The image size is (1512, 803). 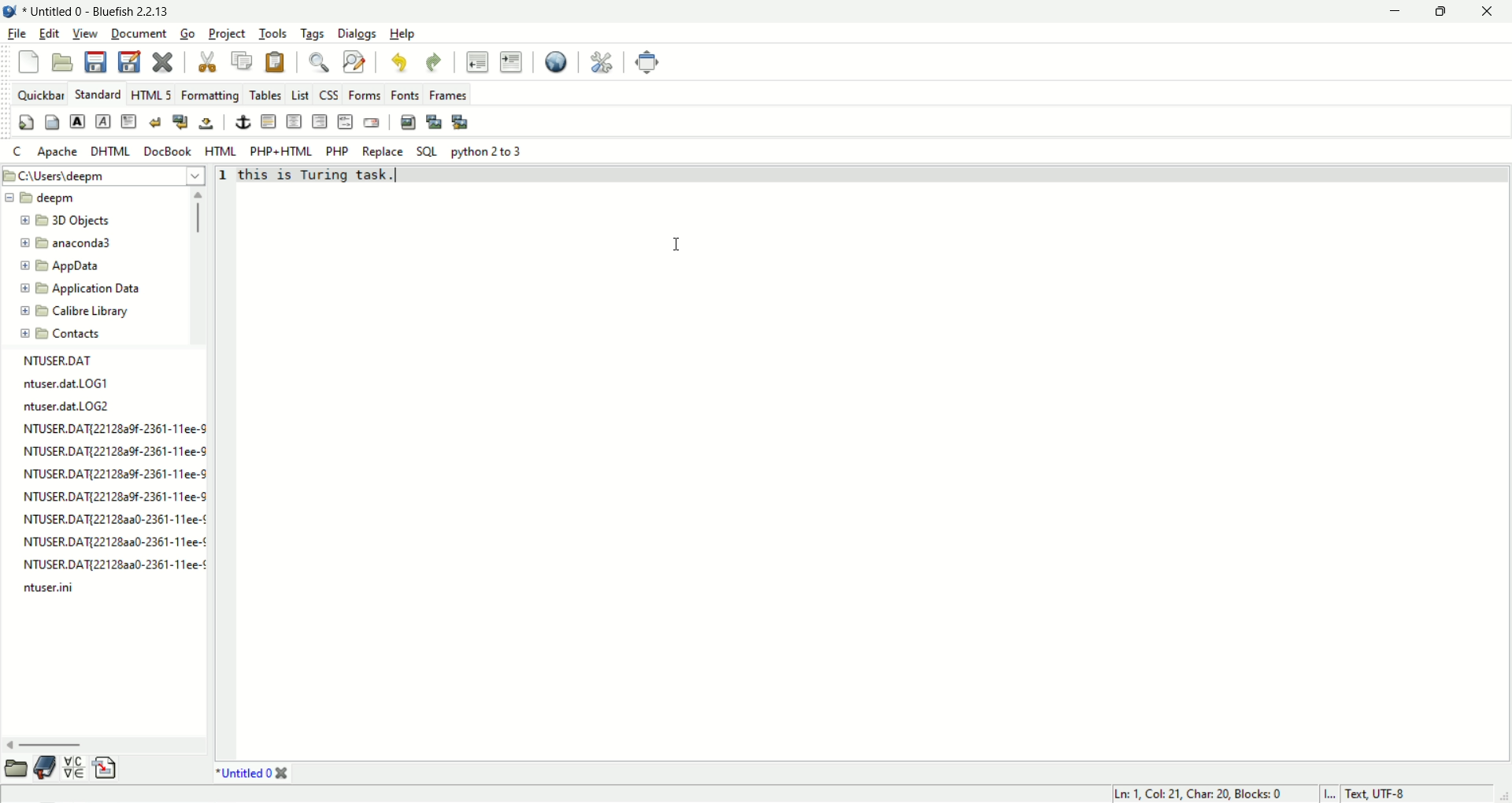 I want to click on close, so click(x=282, y=774).